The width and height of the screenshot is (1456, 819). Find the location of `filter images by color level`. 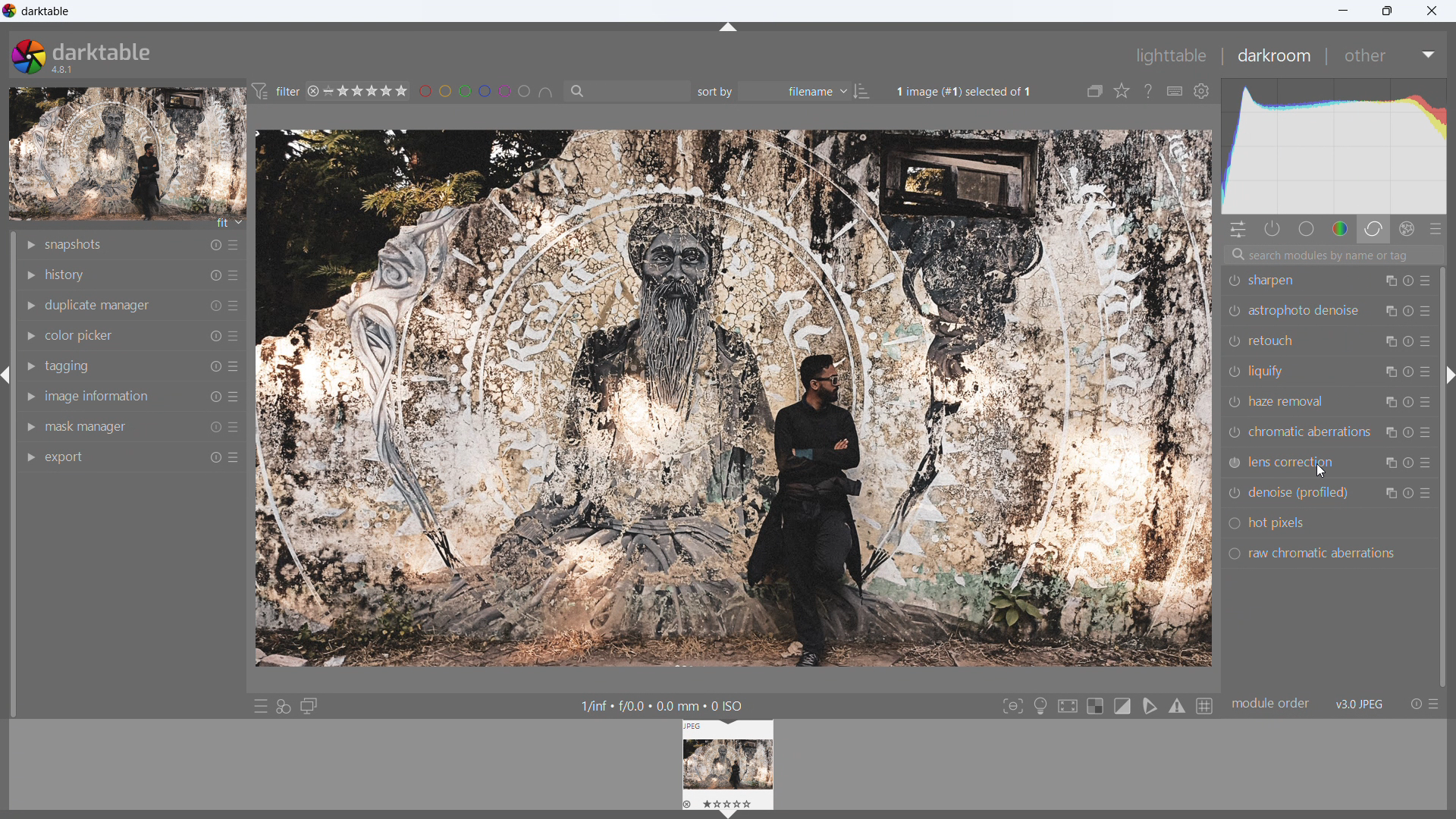

filter images by color level is located at coordinates (485, 92).